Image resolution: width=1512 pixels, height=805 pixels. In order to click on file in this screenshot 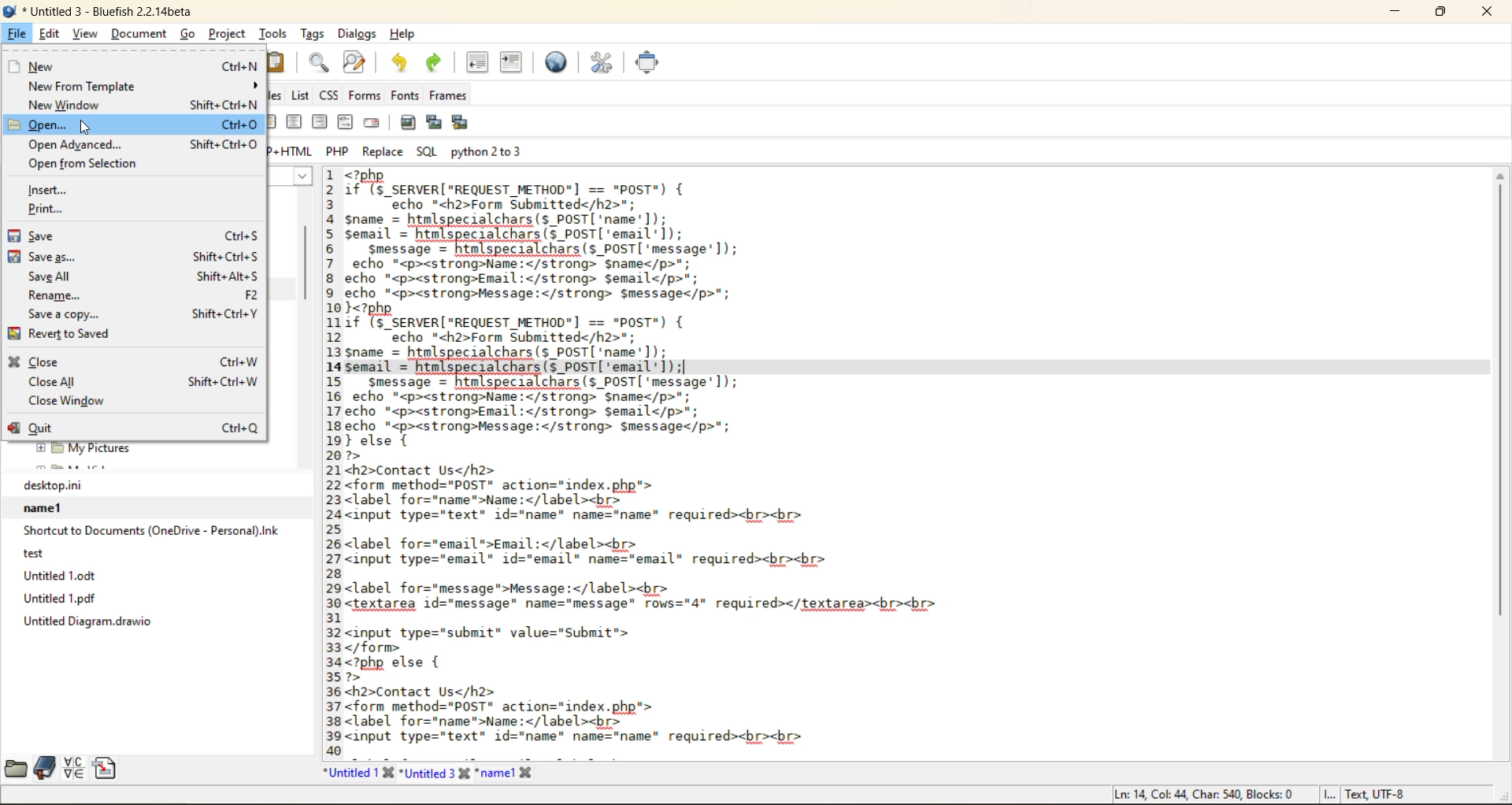, I will do `click(18, 35)`.